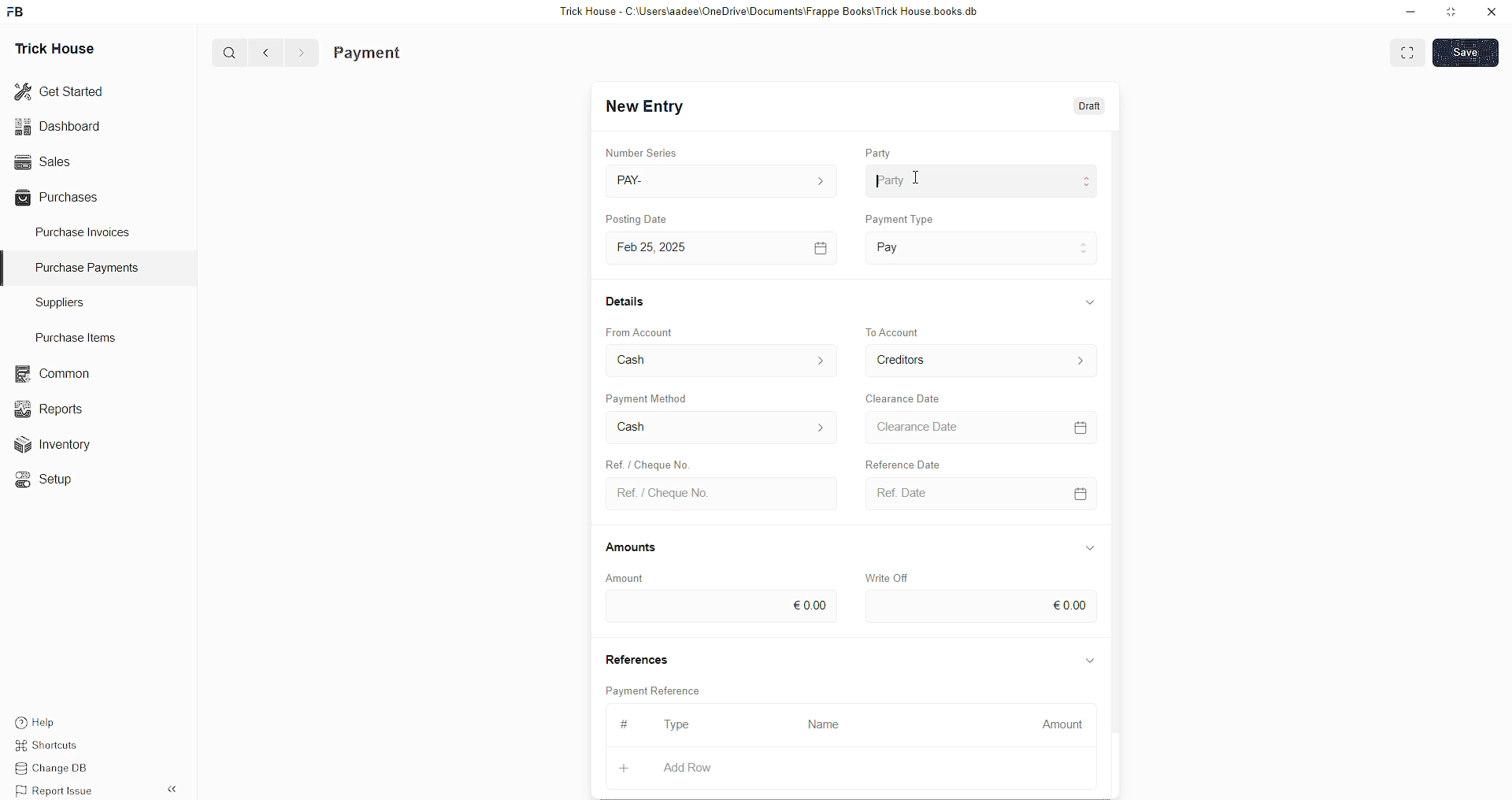 Image resolution: width=1512 pixels, height=800 pixels. What do you see at coordinates (925, 428) in the screenshot?
I see `Clearance Date` at bounding box center [925, 428].